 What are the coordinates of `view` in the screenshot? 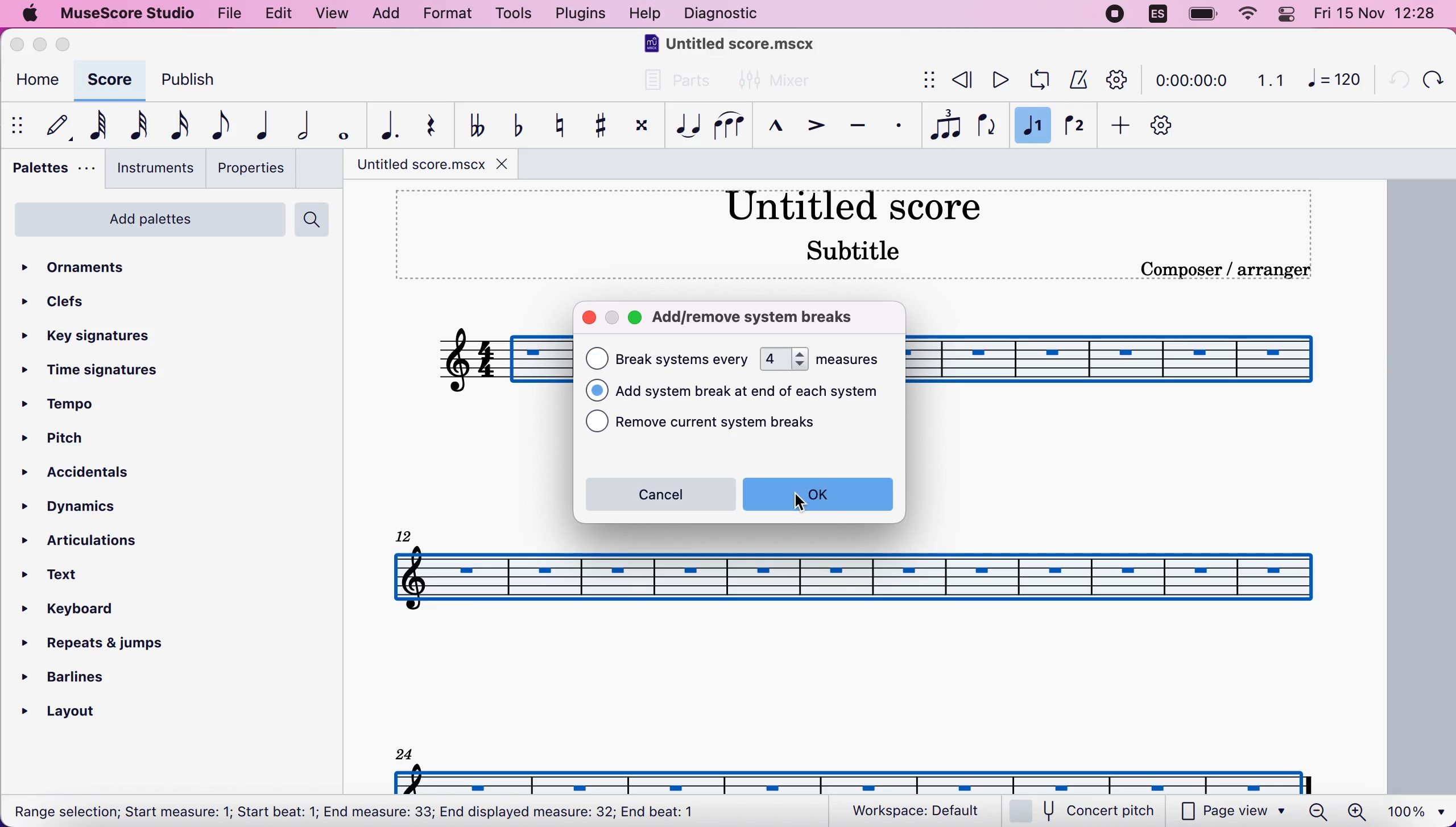 It's located at (333, 15).